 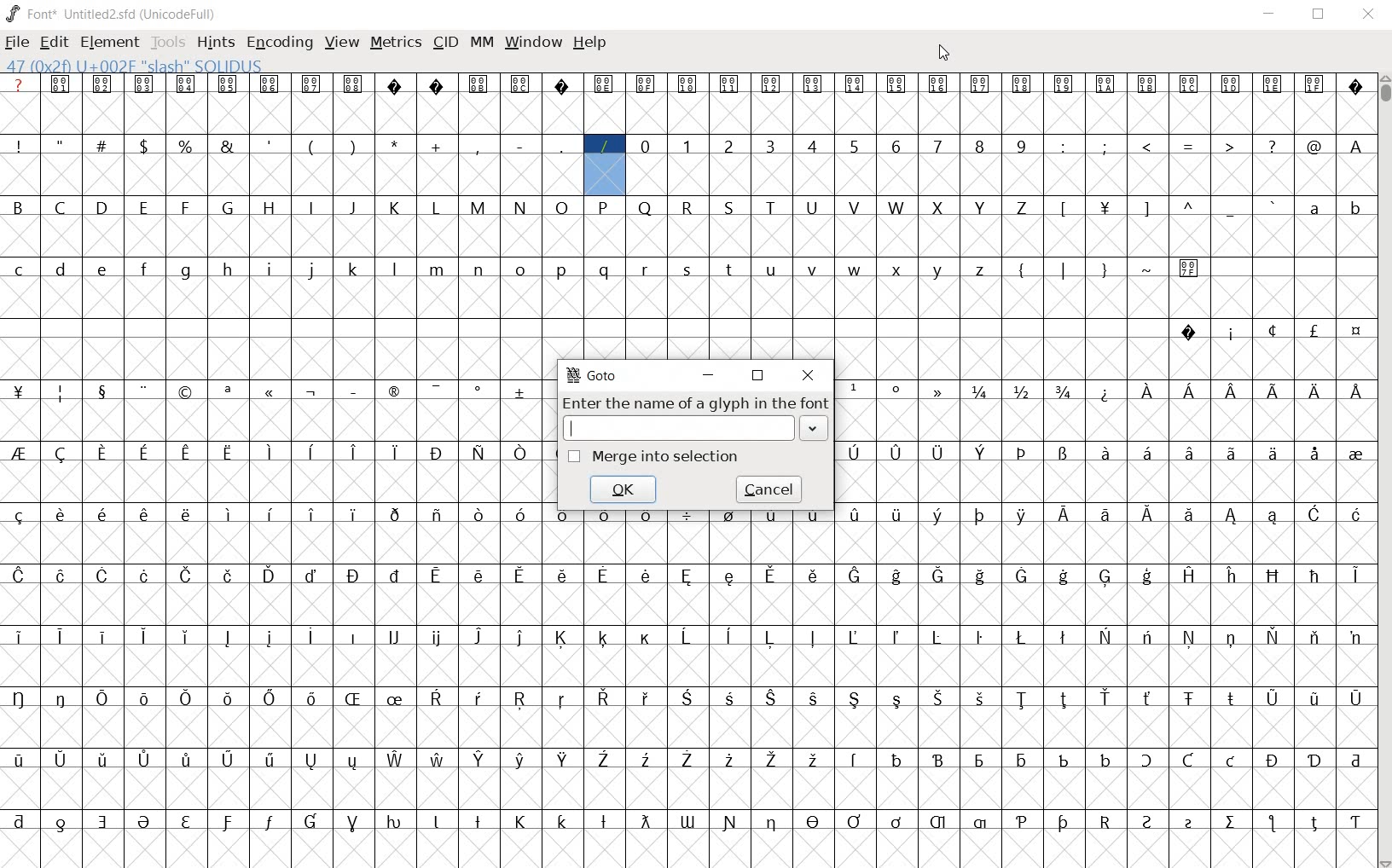 I want to click on glyph, so click(x=729, y=514).